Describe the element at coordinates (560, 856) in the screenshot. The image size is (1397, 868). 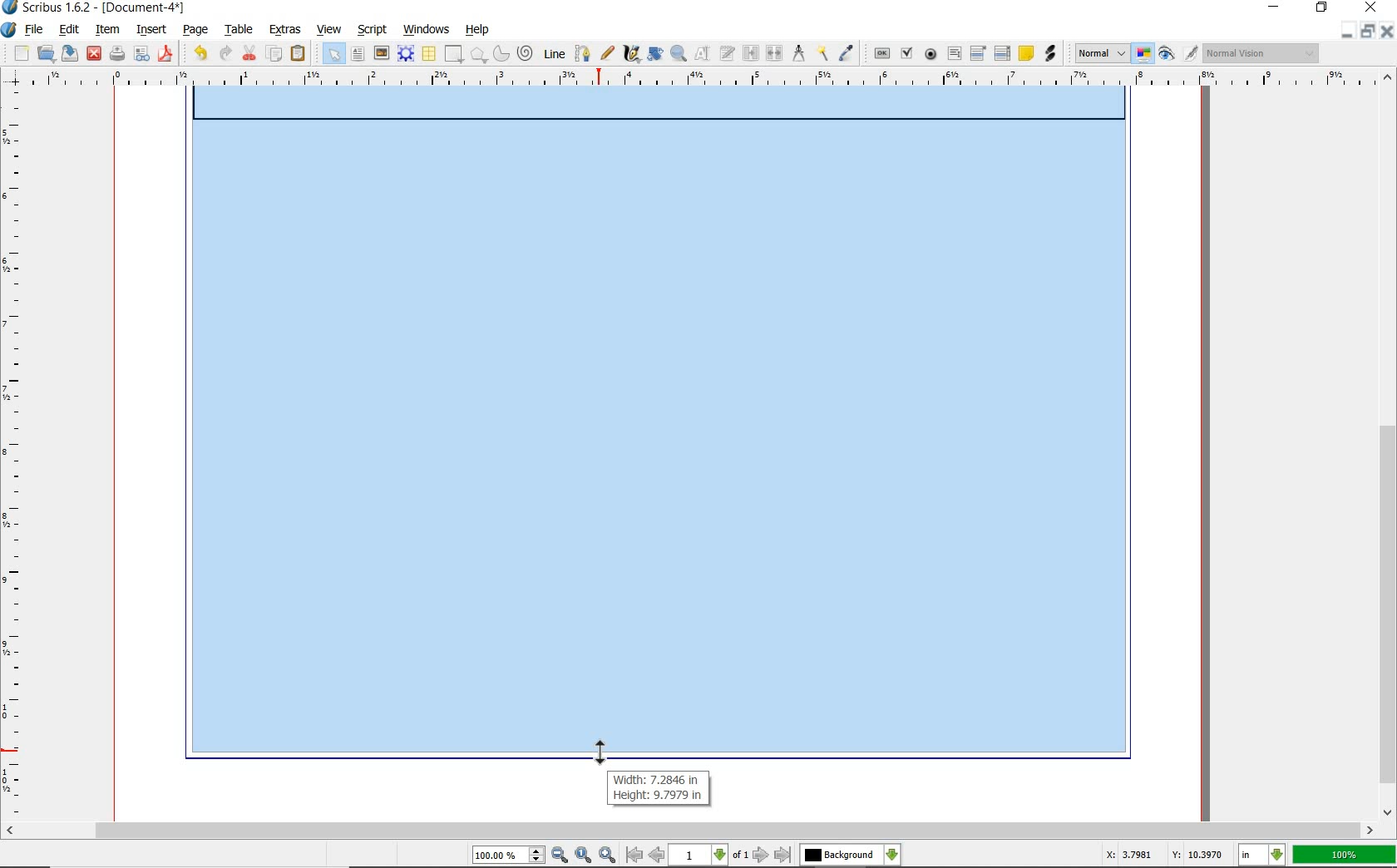
I see `zoom out` at that location.